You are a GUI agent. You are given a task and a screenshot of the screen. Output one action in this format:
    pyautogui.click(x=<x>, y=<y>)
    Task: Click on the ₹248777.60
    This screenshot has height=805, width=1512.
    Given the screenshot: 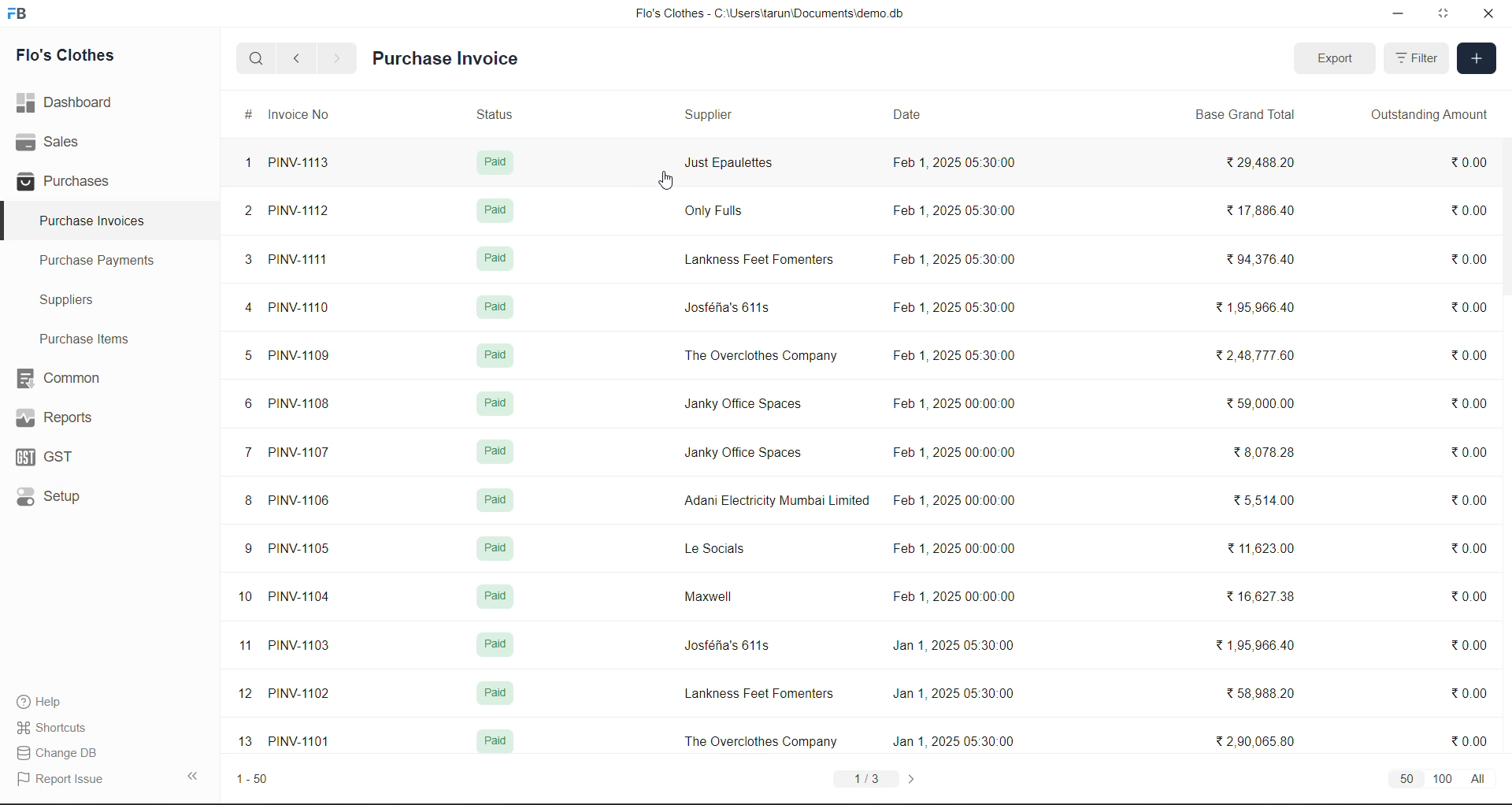 What is the action you would take?
    pyautogui.click(x=1266, y=358)
    